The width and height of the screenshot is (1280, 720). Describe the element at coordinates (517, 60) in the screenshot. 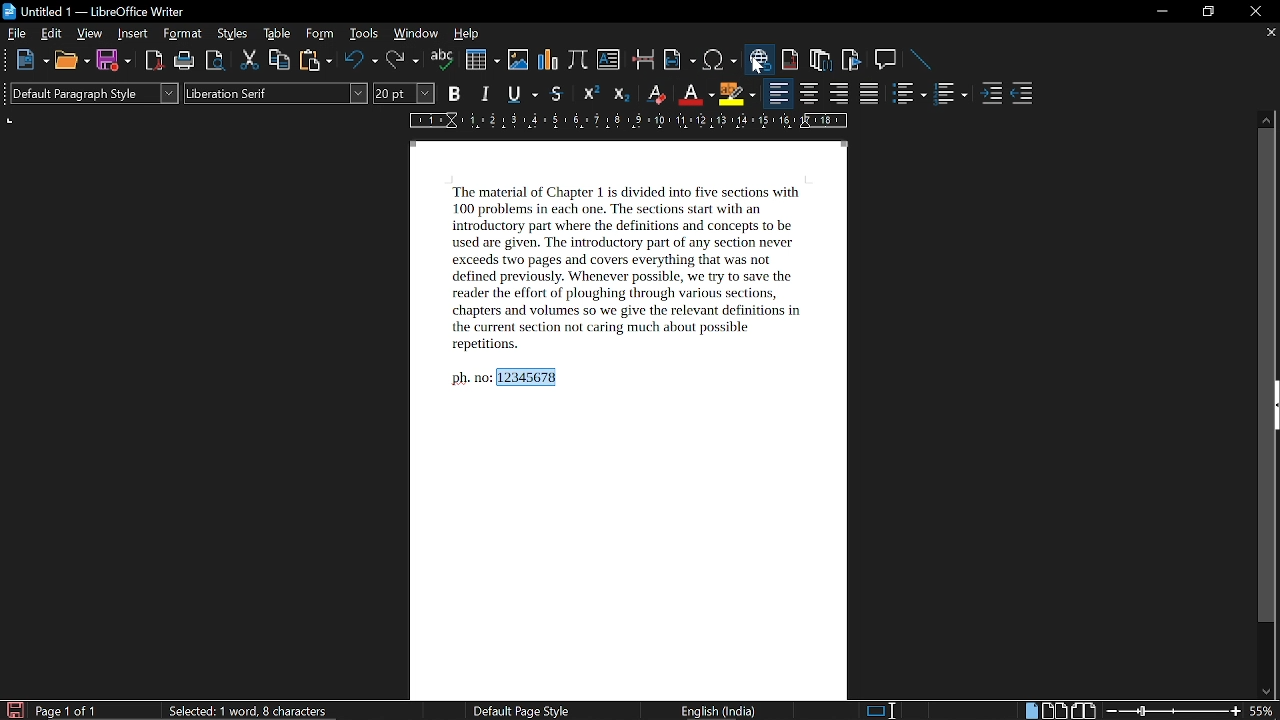

I see `insert image` at that location.